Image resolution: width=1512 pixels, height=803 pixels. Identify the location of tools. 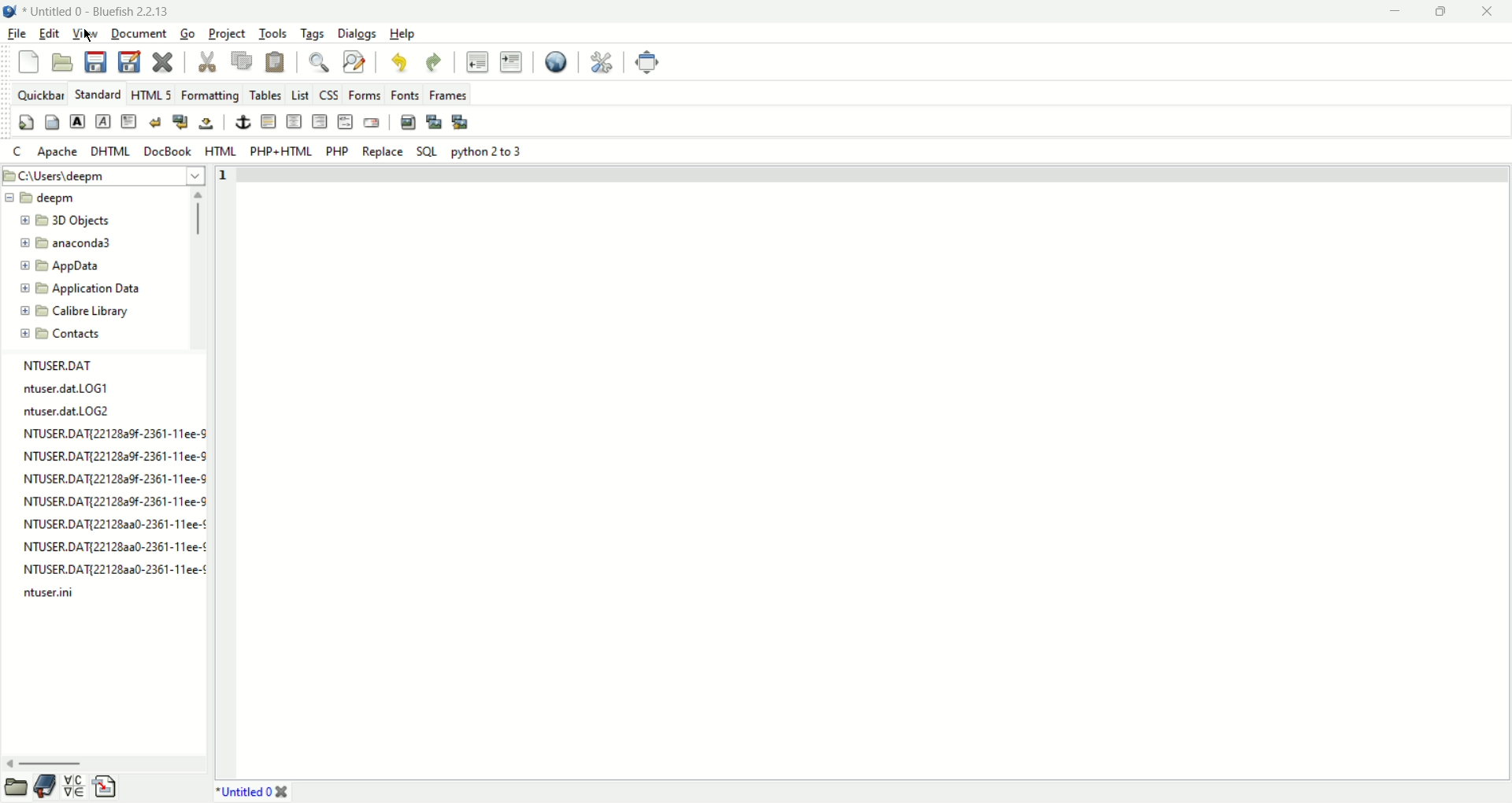
(275, 34).